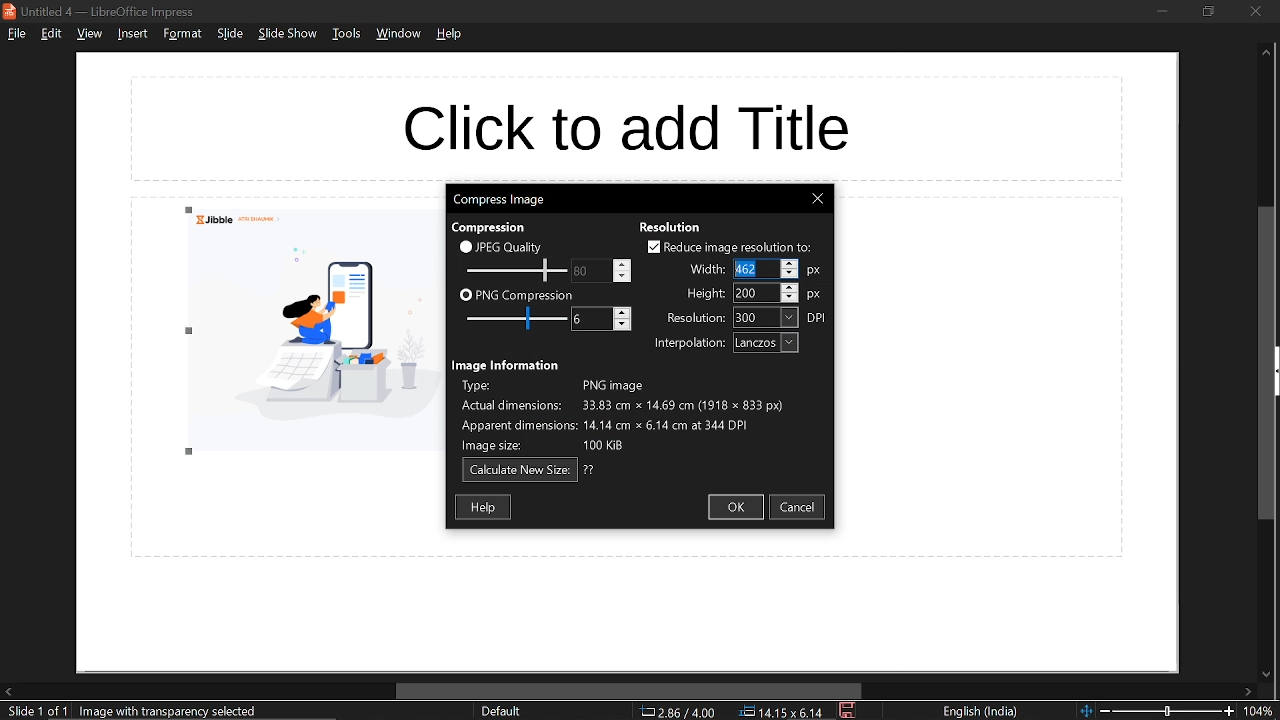  I want to click on current zoom, so click(1262, 712).